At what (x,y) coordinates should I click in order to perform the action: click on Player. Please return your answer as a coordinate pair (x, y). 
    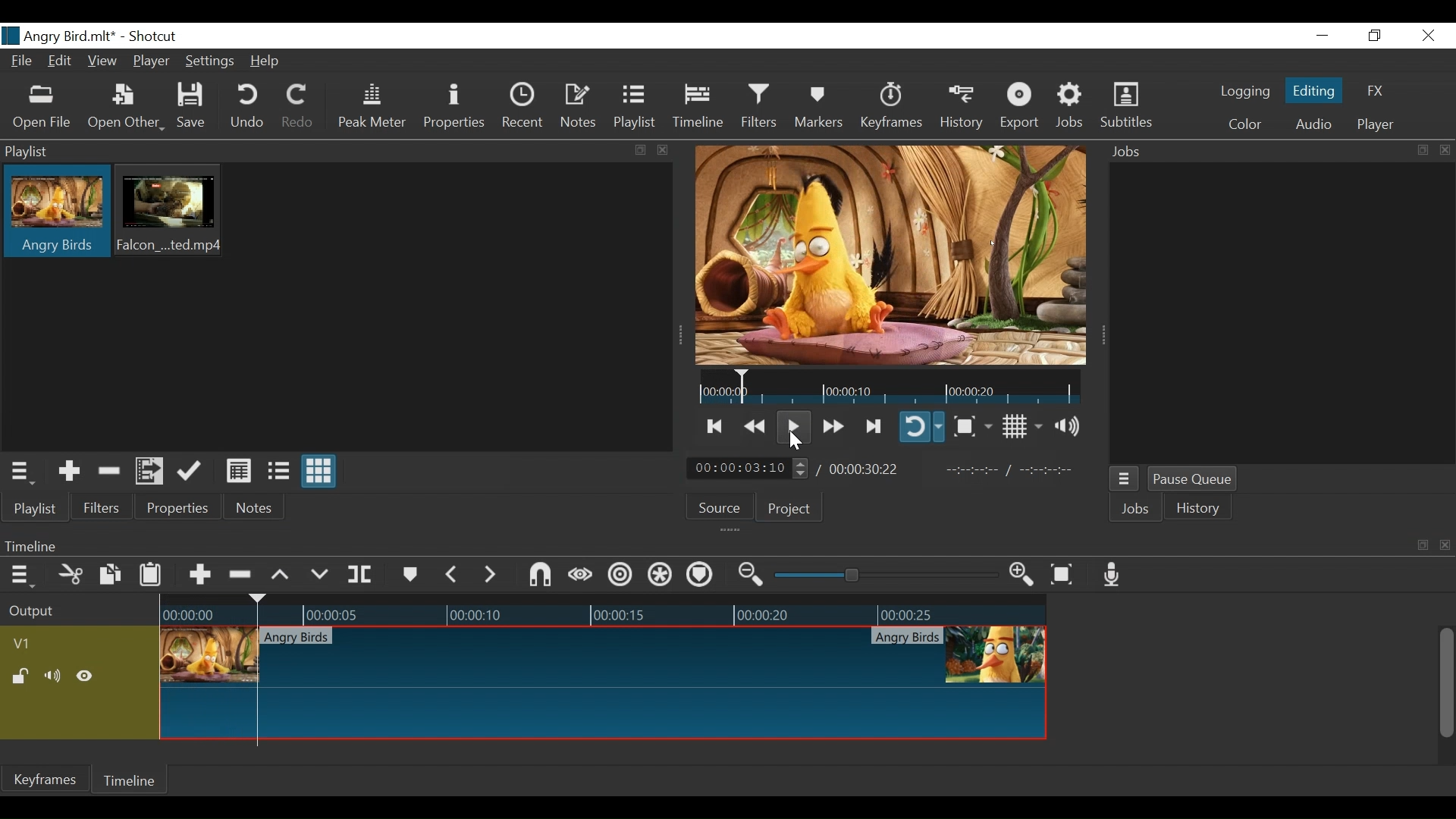
    Looking at the image, I should click on (1376, 122).